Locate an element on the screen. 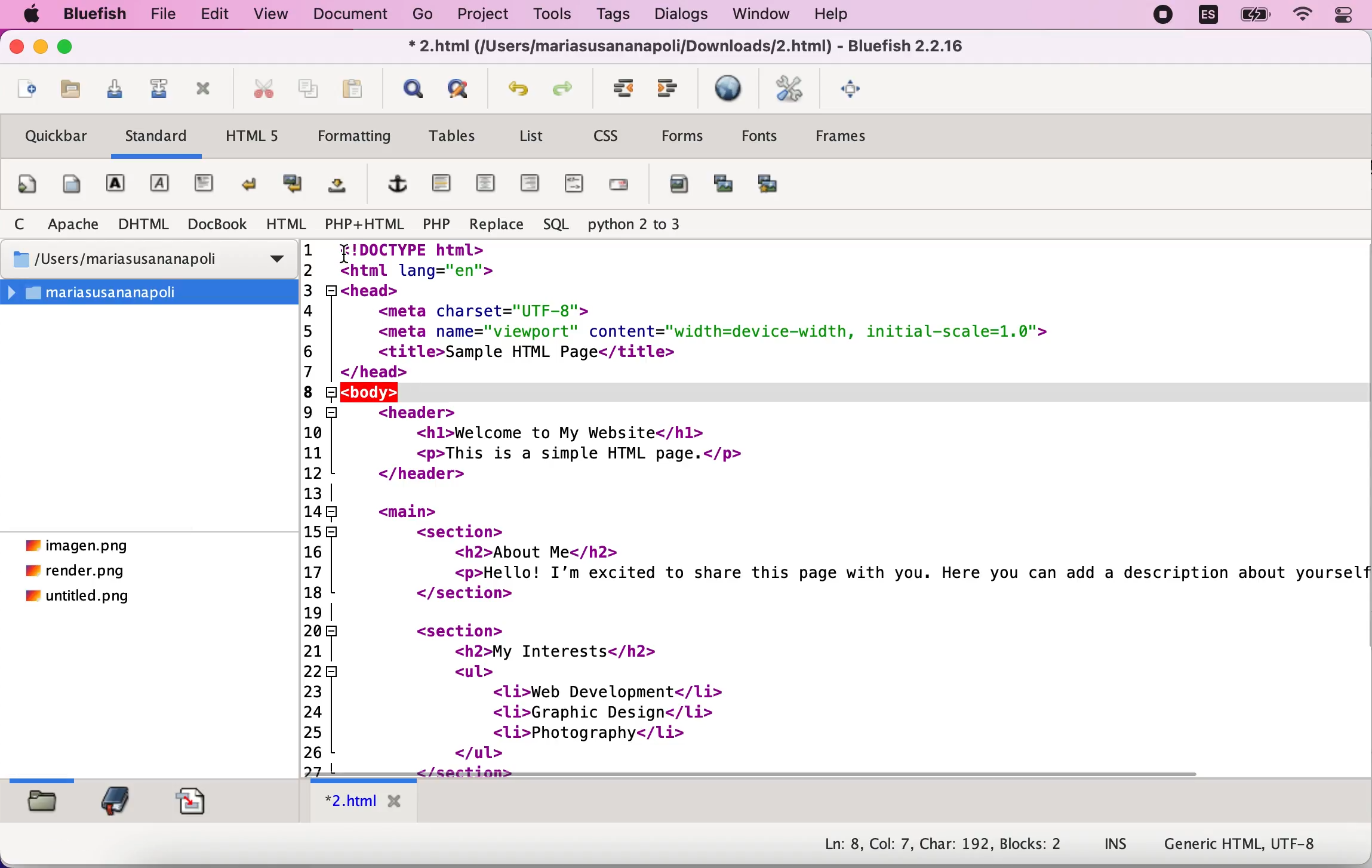 The height and width of the screenshot is (868, 1372). maximize is located at coordinates (72, 48).